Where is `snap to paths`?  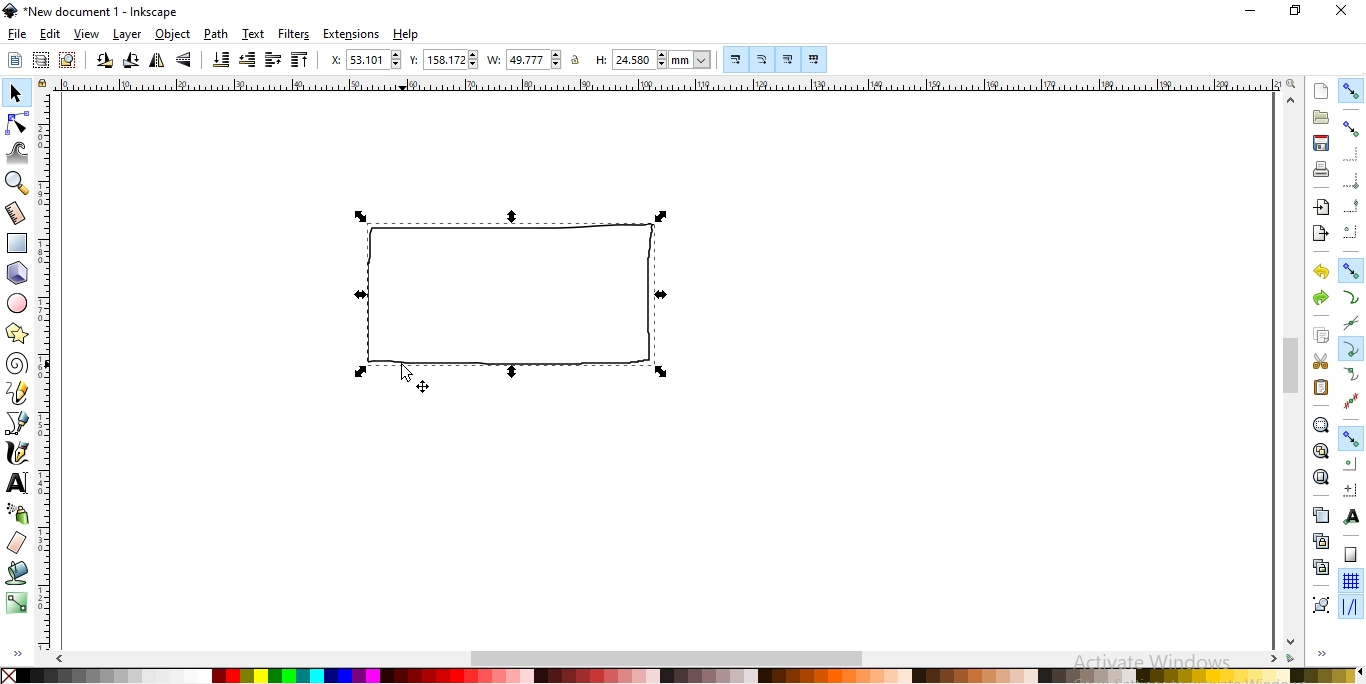
snap to paths is located at coordinates (1352, 297).